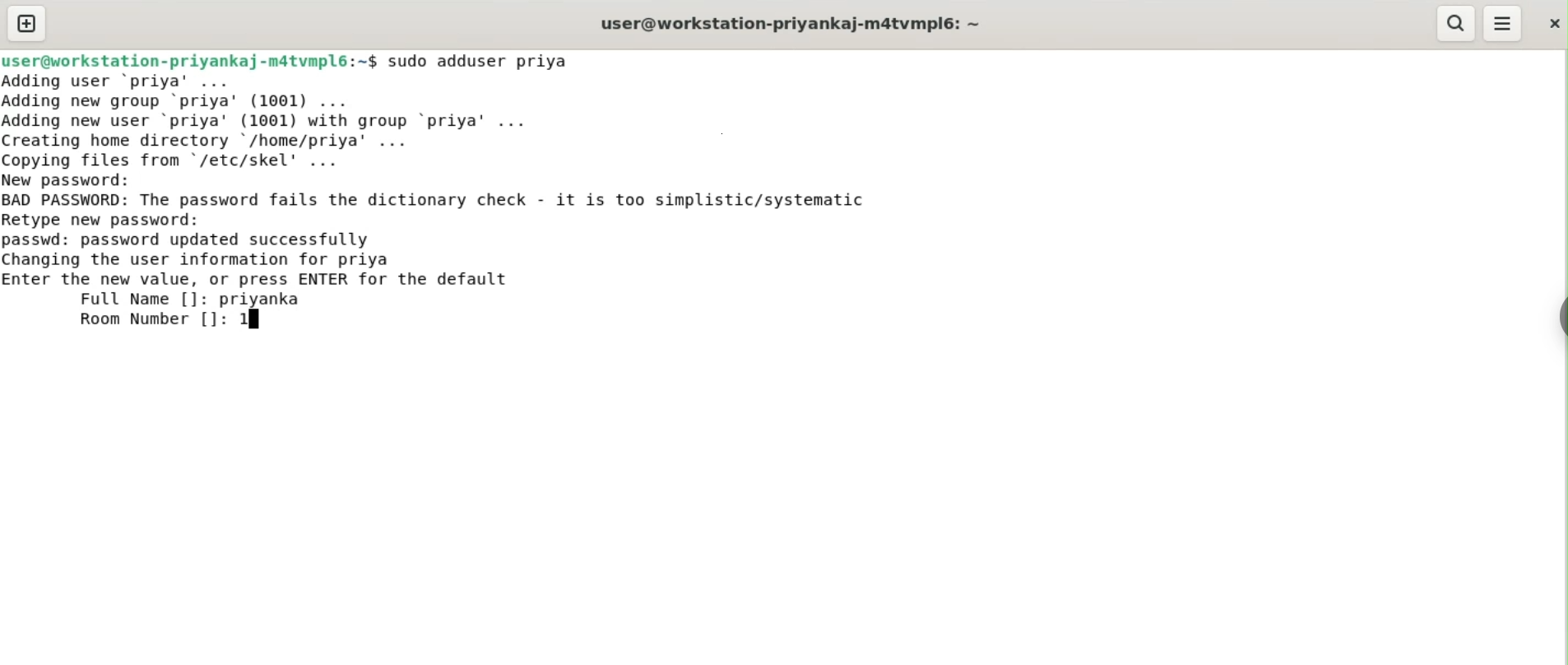 The width and height of the screenshot is (1568, 665). What do you see at coordinates (109, 299) in the screenshot?
I see `full name [] :` at bounding box center [109, 299].